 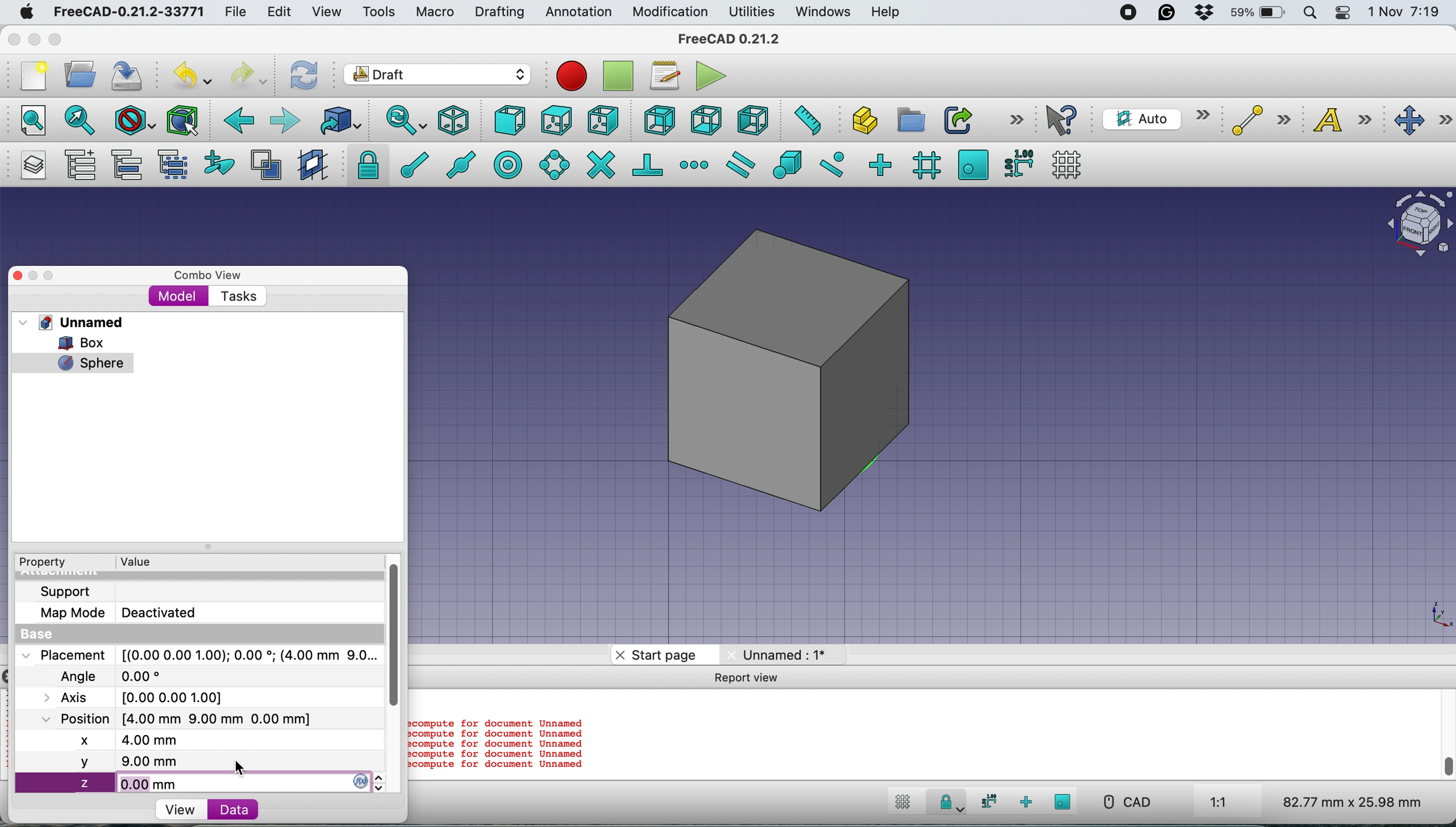 What do you see at coordinates (457, 164) in the screenshot?
I see `snap midpoint` at bounding box center [457, 164].